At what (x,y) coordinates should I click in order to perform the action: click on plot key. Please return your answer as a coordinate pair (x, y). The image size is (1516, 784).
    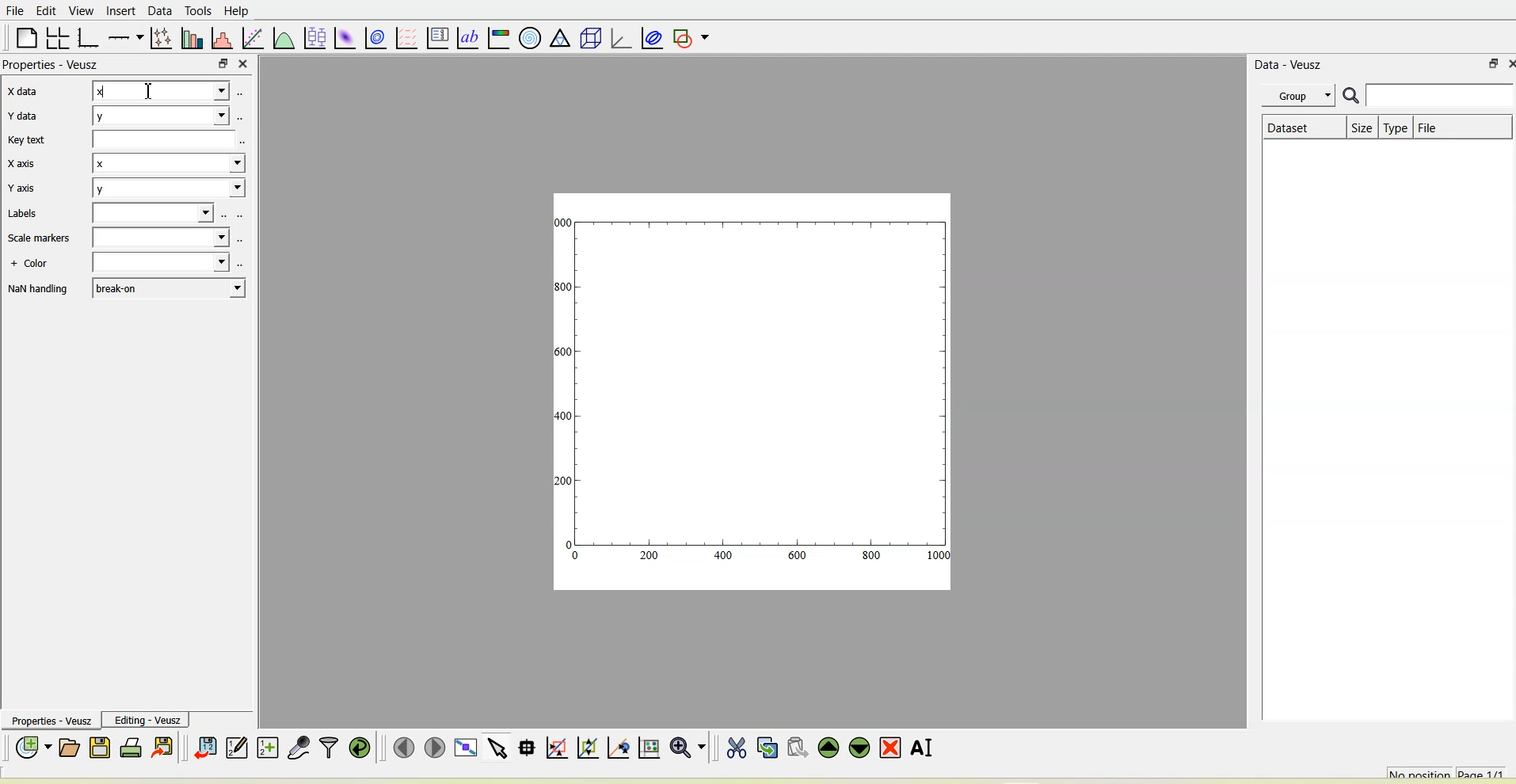
    Looking at the image, I should click on (436, 36).